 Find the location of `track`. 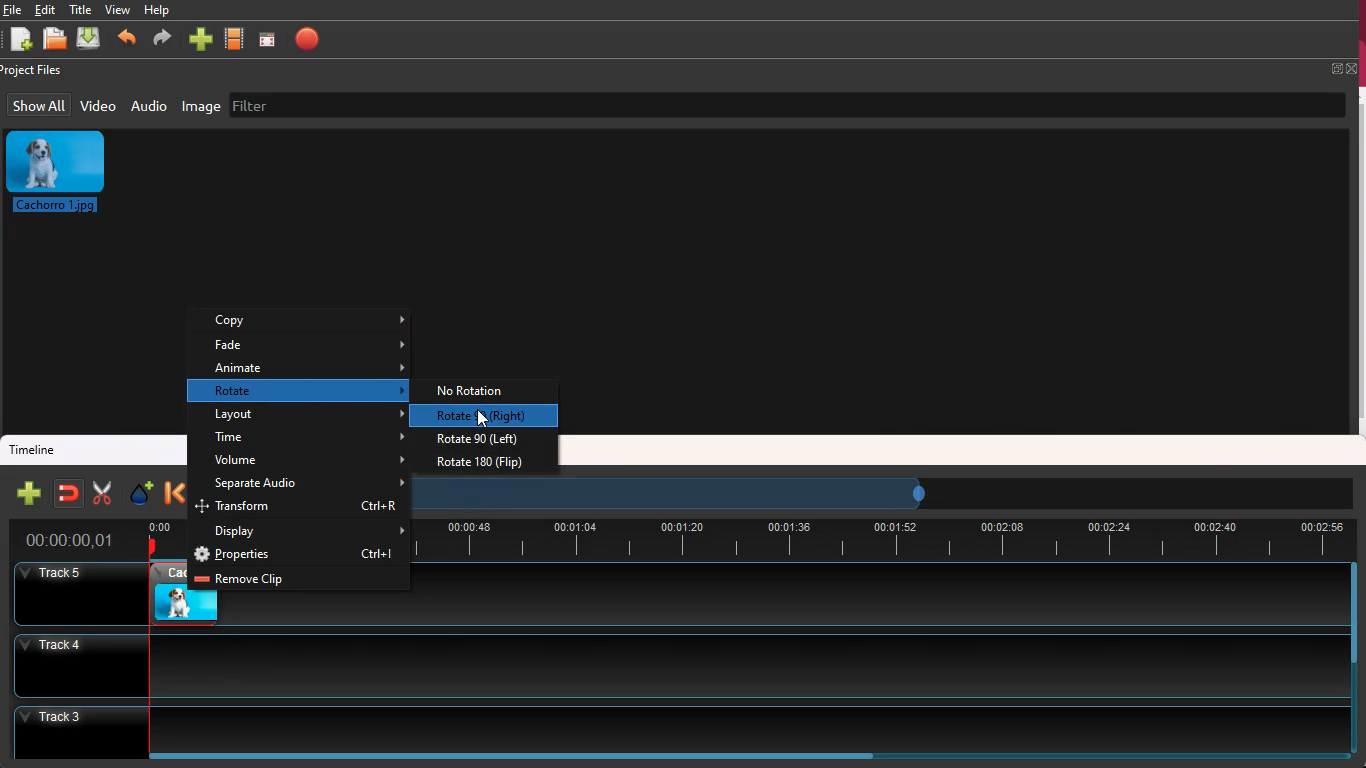

track is located at coordinates (662, 666).